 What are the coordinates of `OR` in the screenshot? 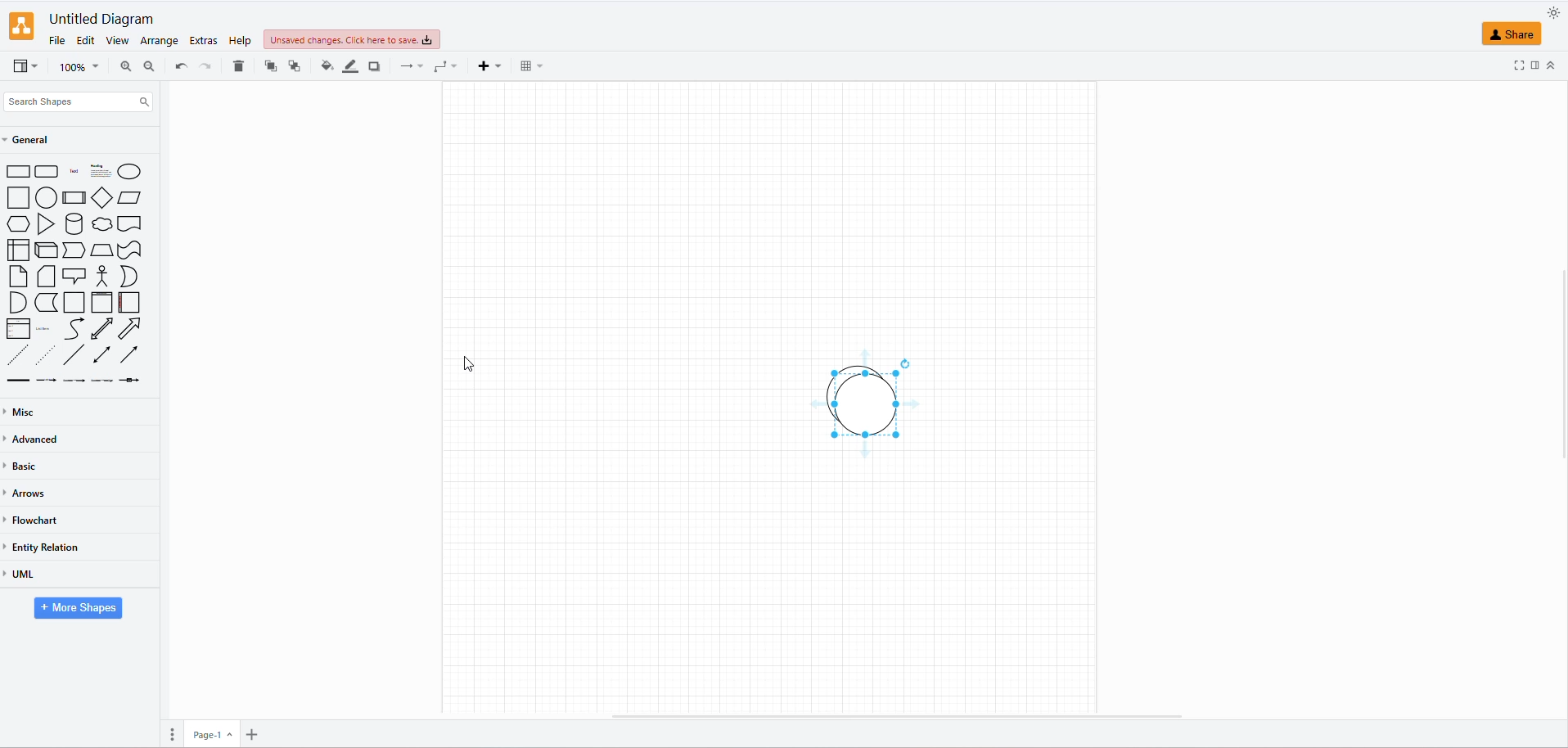 It's located at (125, 276).